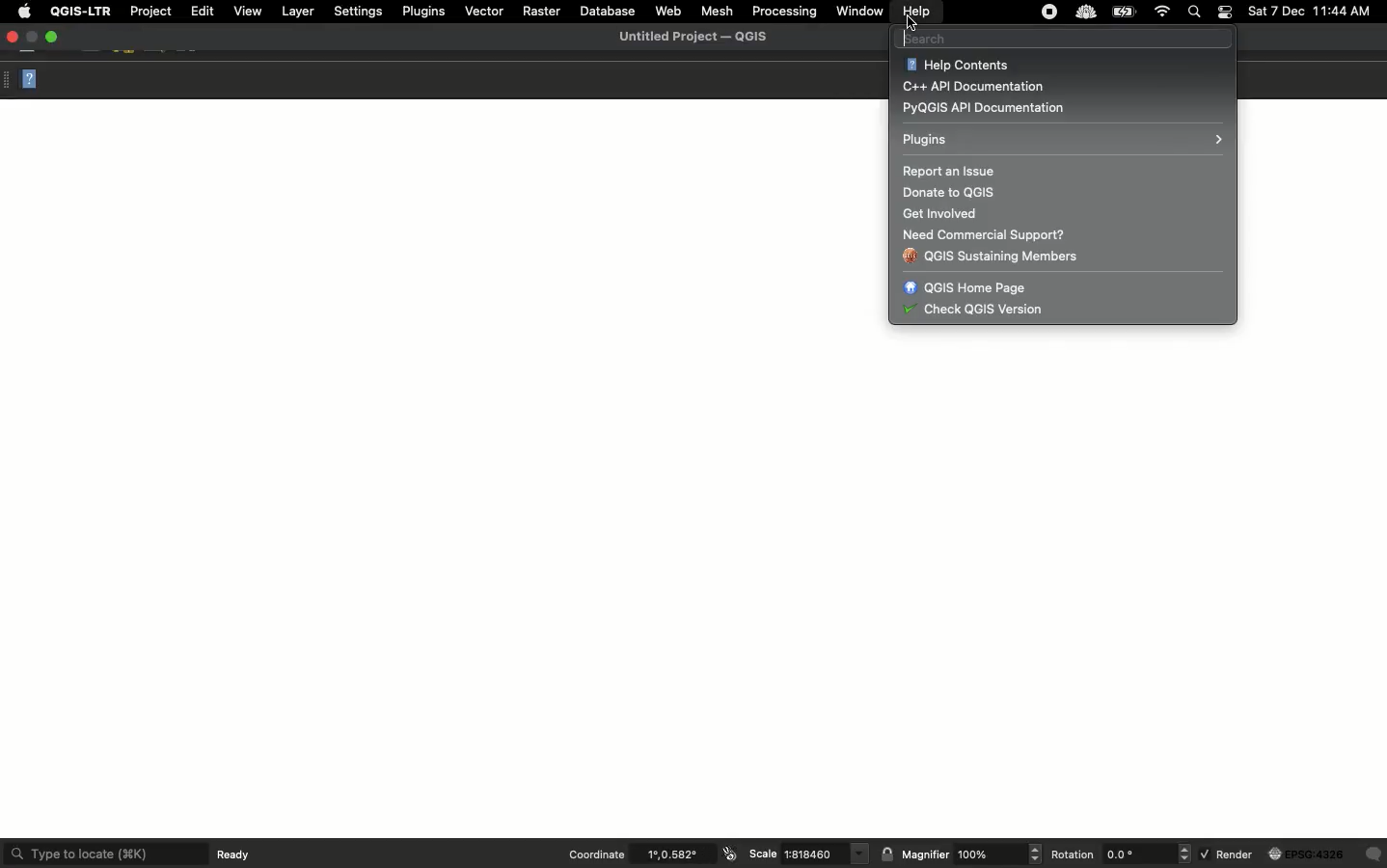 This screenshot has width=1387, height=868. What do you see at coordinates (962, 855) in the screenshot?
I see `Magnifier` at bounding box center [962, 855].